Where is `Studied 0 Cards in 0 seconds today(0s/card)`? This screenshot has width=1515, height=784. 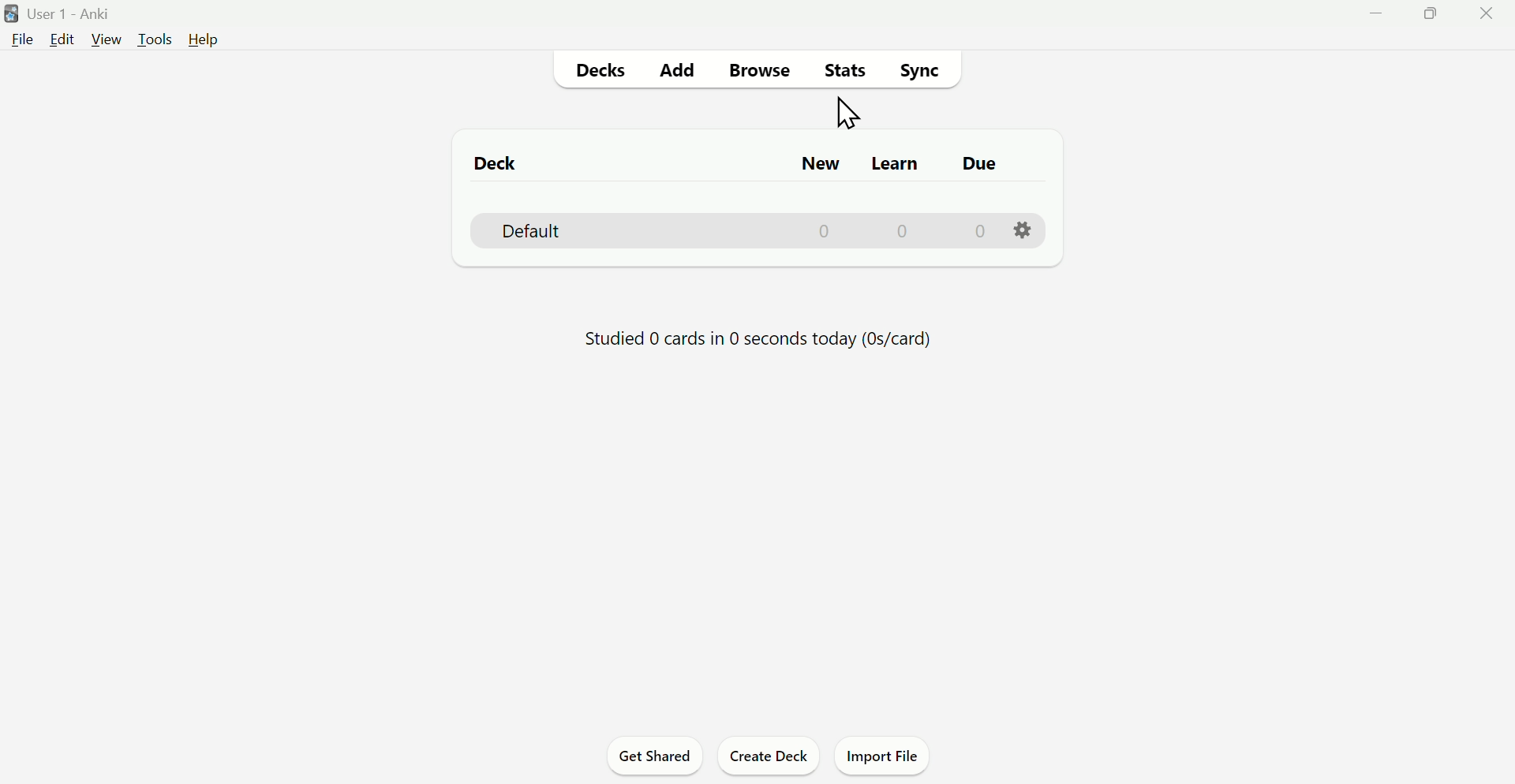
Studied 0 Cards in 0 seconds today(0s/card) is located at coordinates (767, 335).